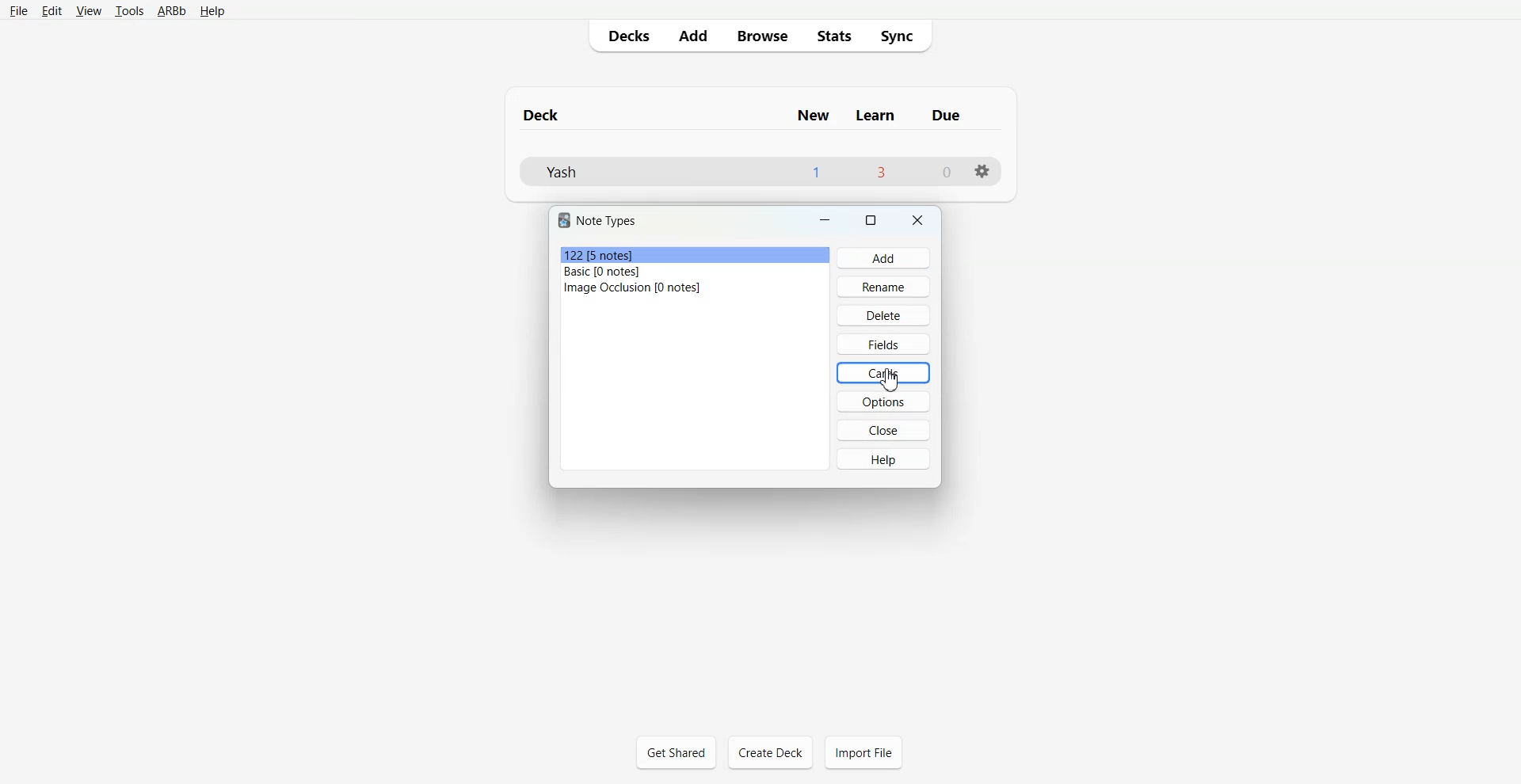 The width and height of the screenshot is (1521, 784). What do you see at coordinates (901, 34) in the screenshot?
I see `Sync` at bounding box center [901, 34].